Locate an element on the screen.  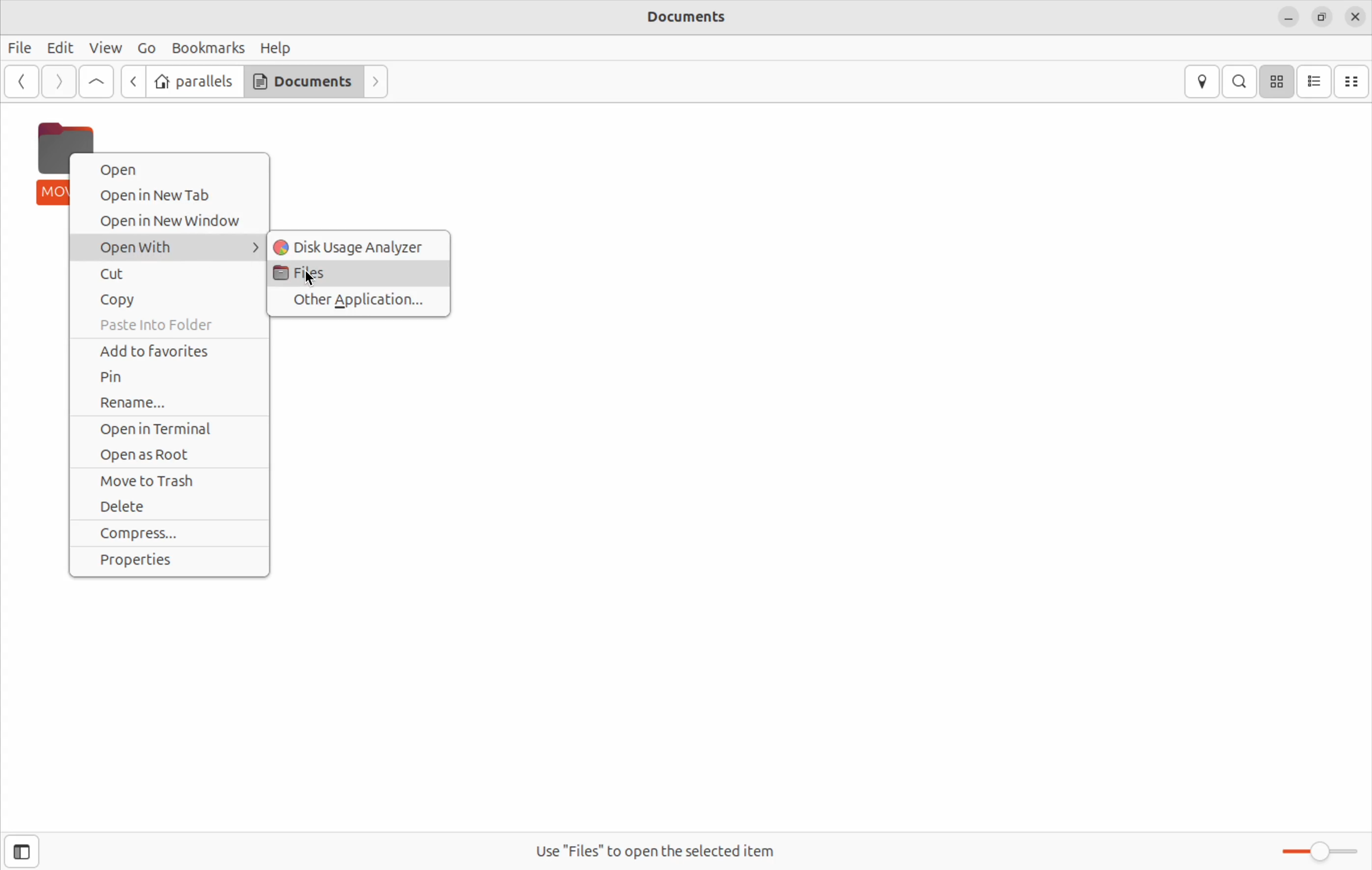
Use"Files" to open the selected item is located at coordinates (662, 850).